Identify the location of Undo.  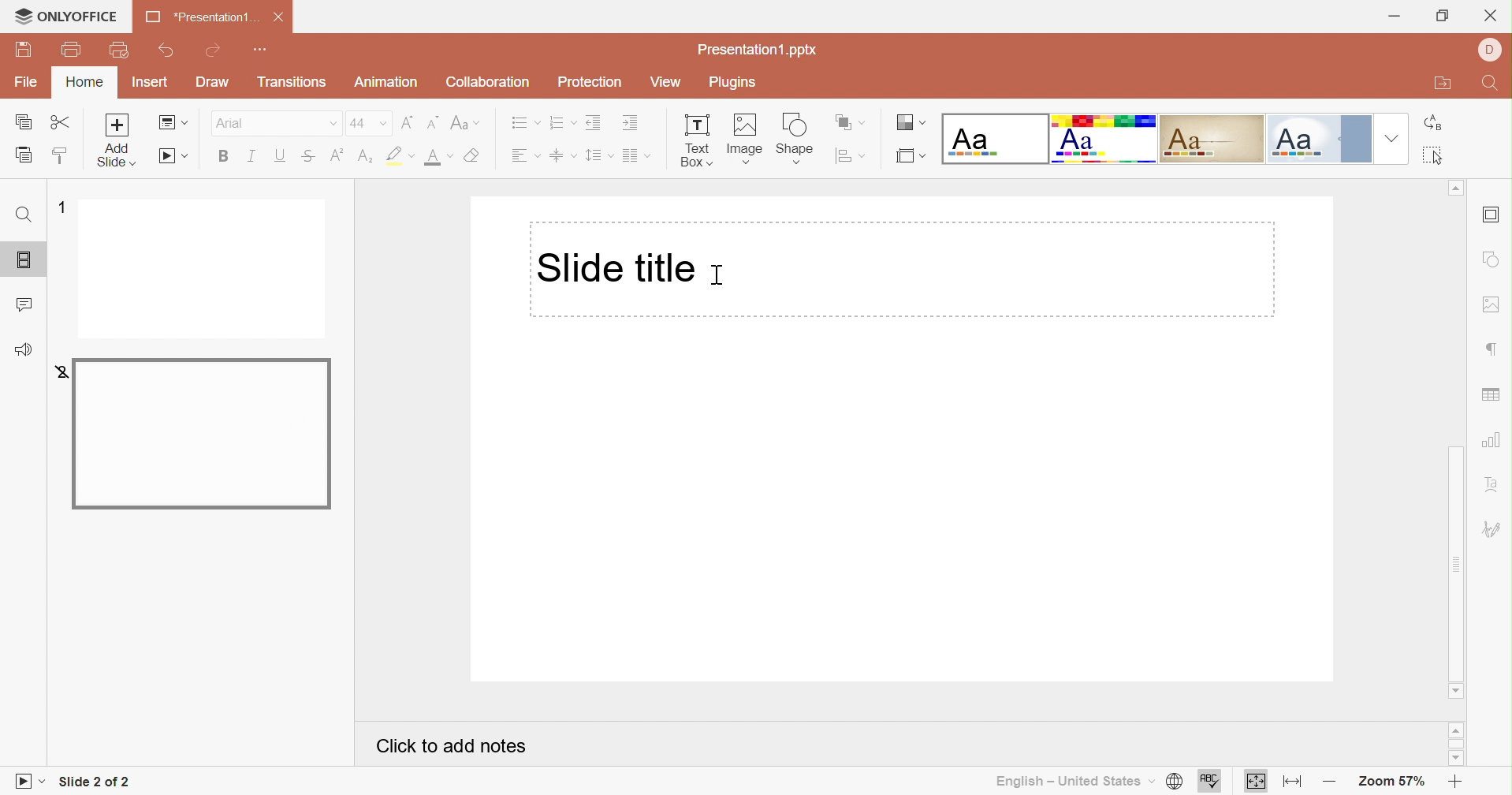
(166, 53).